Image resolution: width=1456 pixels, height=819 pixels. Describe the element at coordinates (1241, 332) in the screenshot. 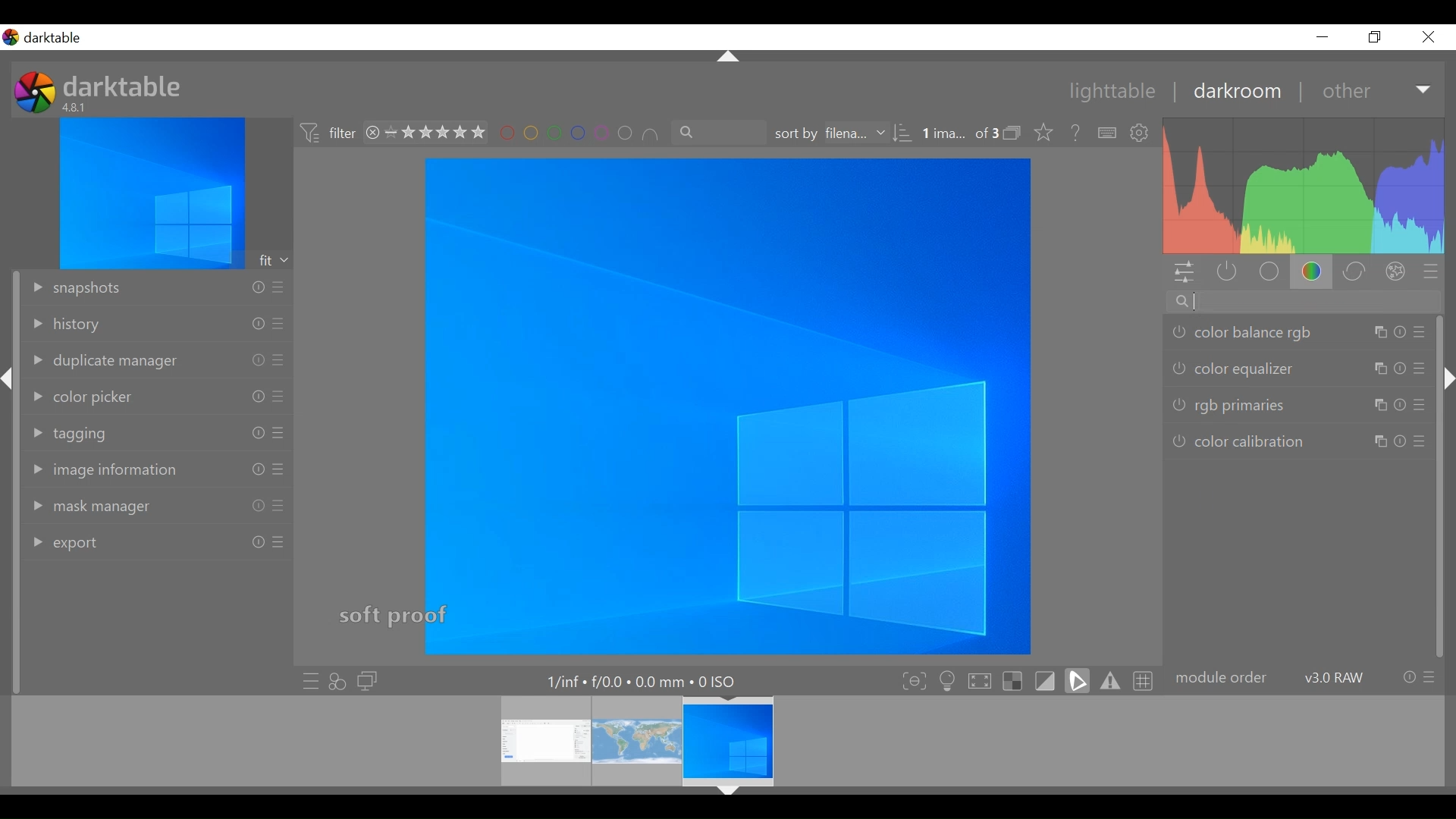

I see `color balance rgb` at that location.